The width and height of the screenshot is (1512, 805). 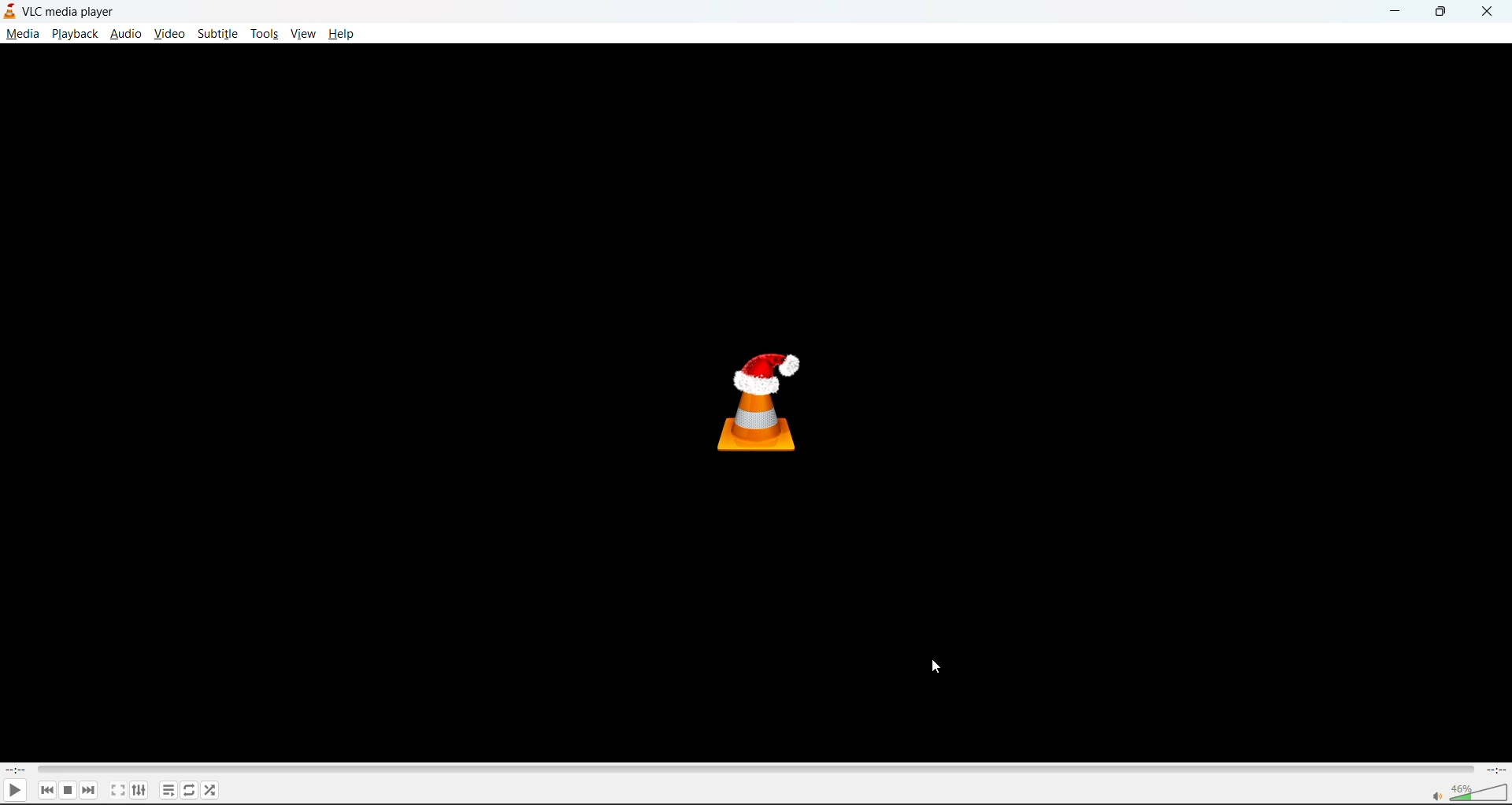 What do you see at coordinates (265, 35) in the screenshot?
I see `tools` at bounding box center [265, 35].